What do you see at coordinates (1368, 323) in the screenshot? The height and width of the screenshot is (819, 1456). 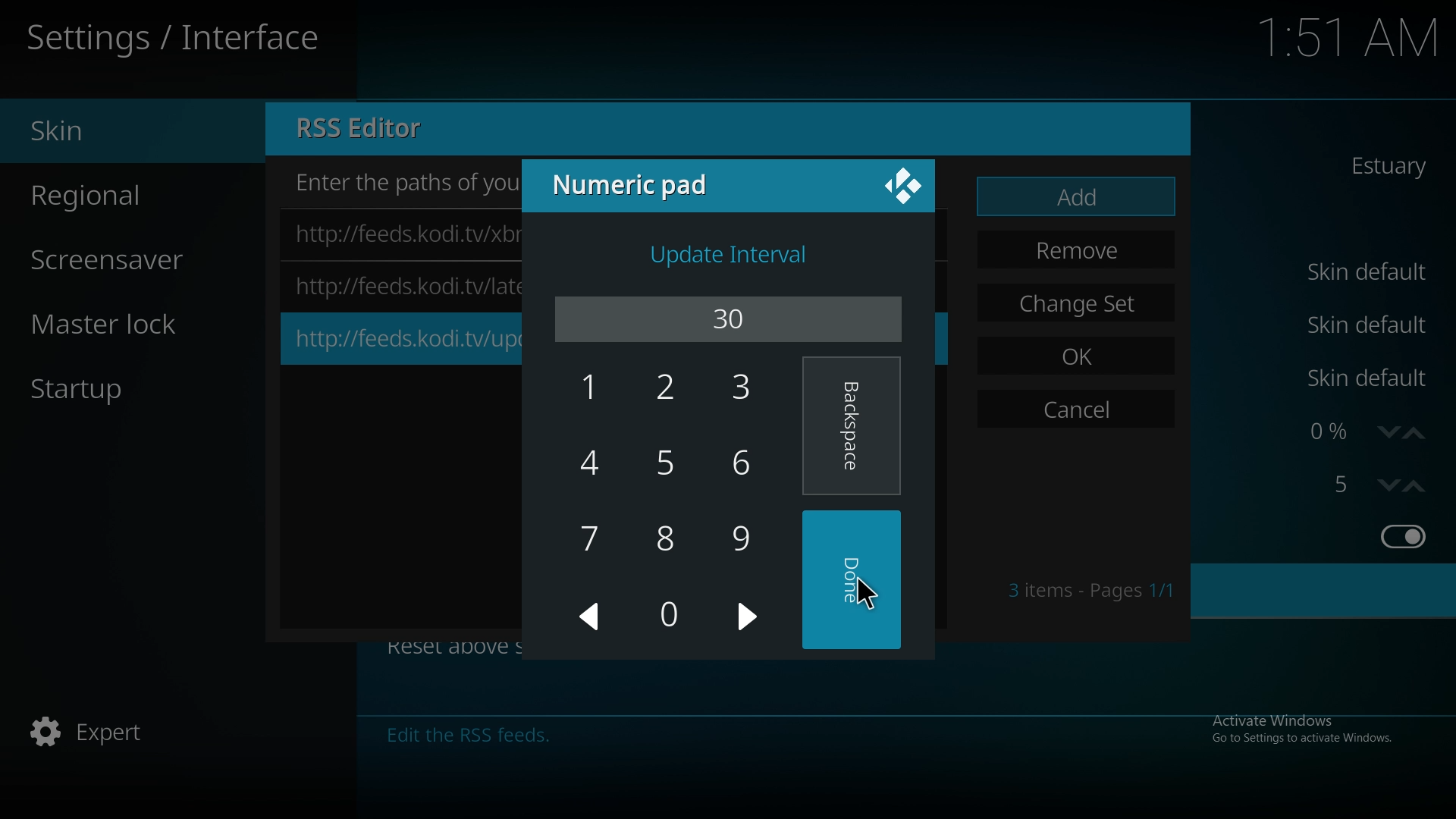 I see `skin default` at bounding box center [1368, 323].